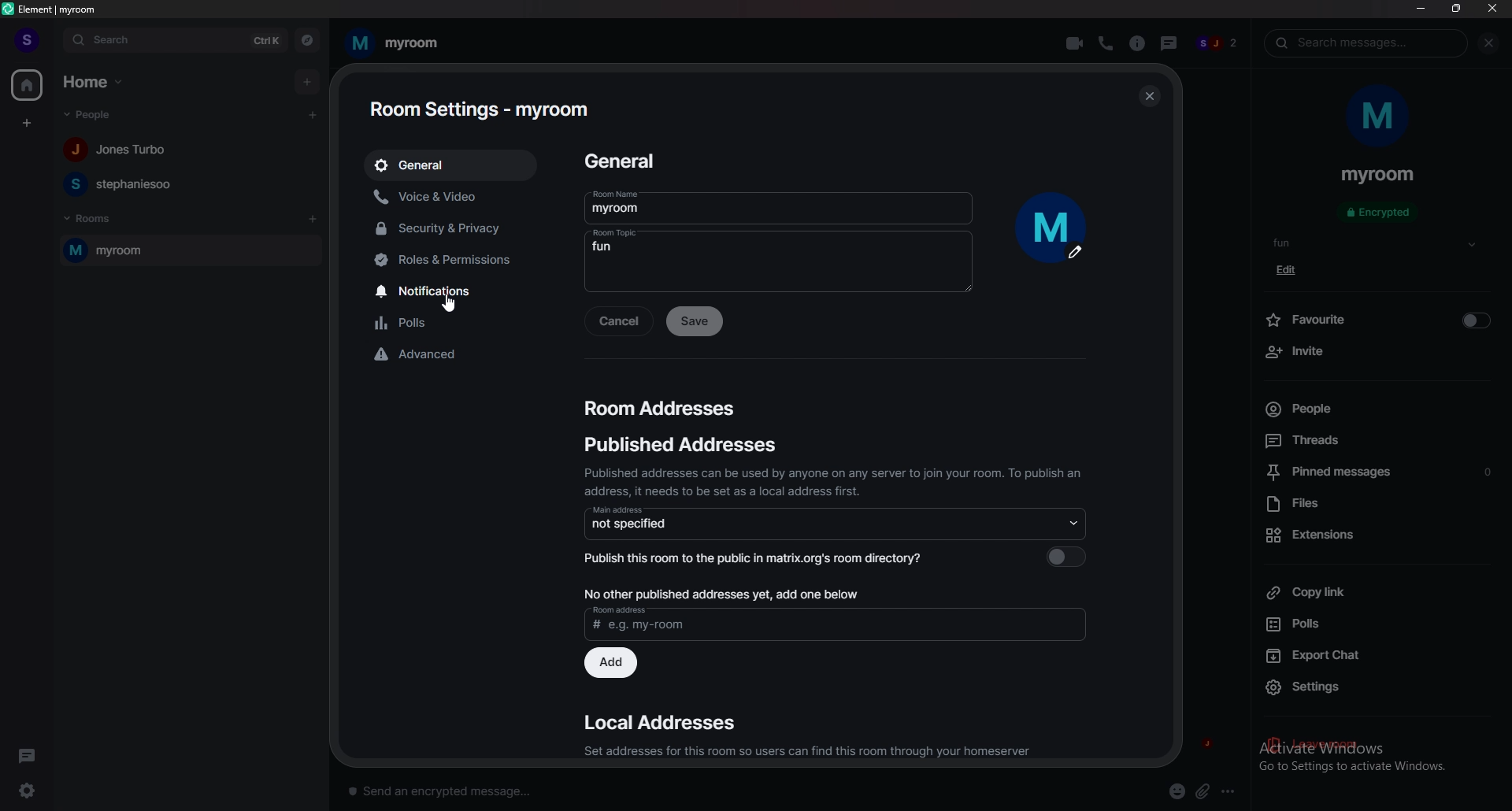 The height and width of the screenshot is (811, 1512). I want to click on add, so click(613, 664).